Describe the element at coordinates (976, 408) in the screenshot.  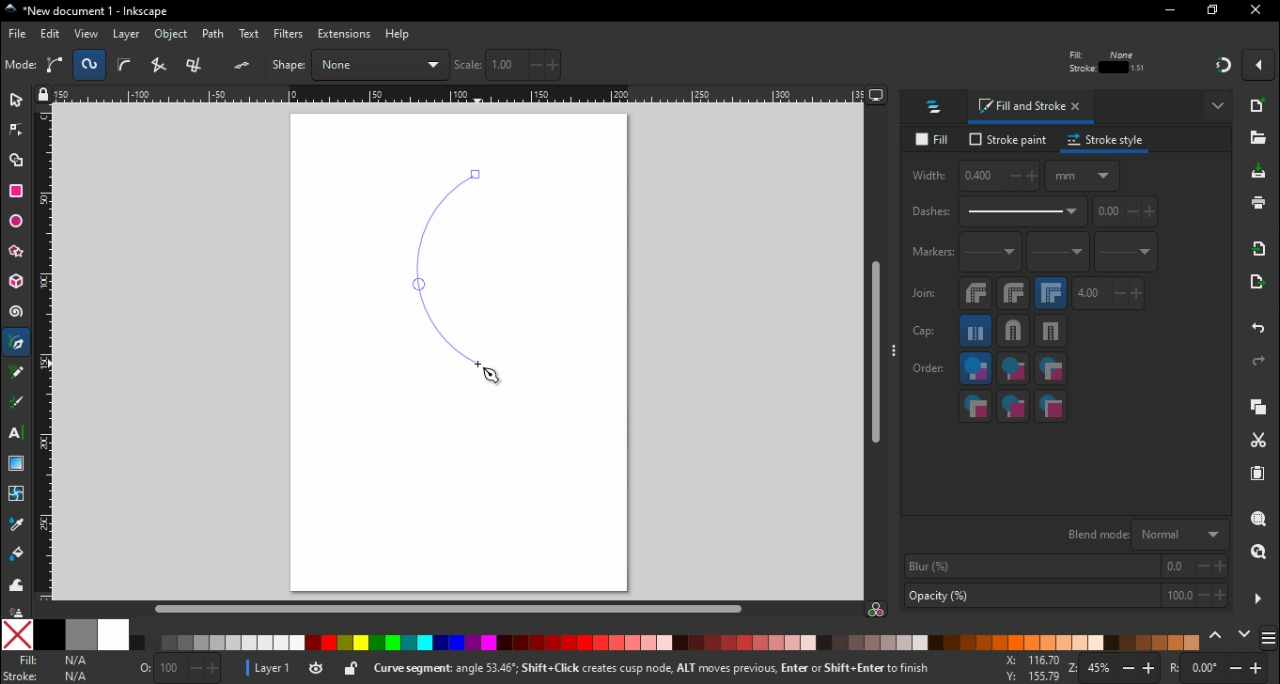
I see `markers, fills, stroke` at that location.